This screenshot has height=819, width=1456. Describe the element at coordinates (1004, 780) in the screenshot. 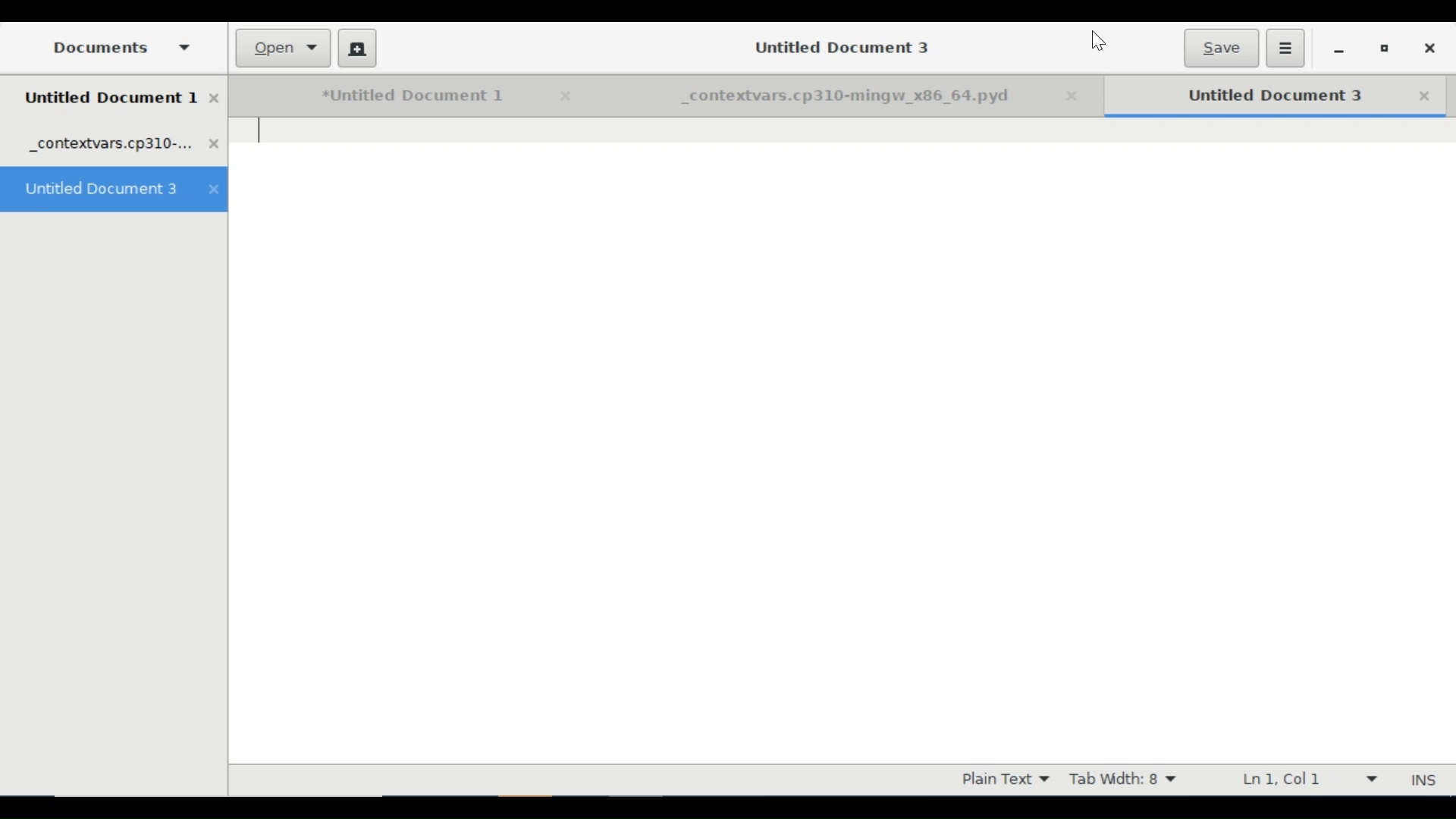

I see `Highlight mode` at that location.